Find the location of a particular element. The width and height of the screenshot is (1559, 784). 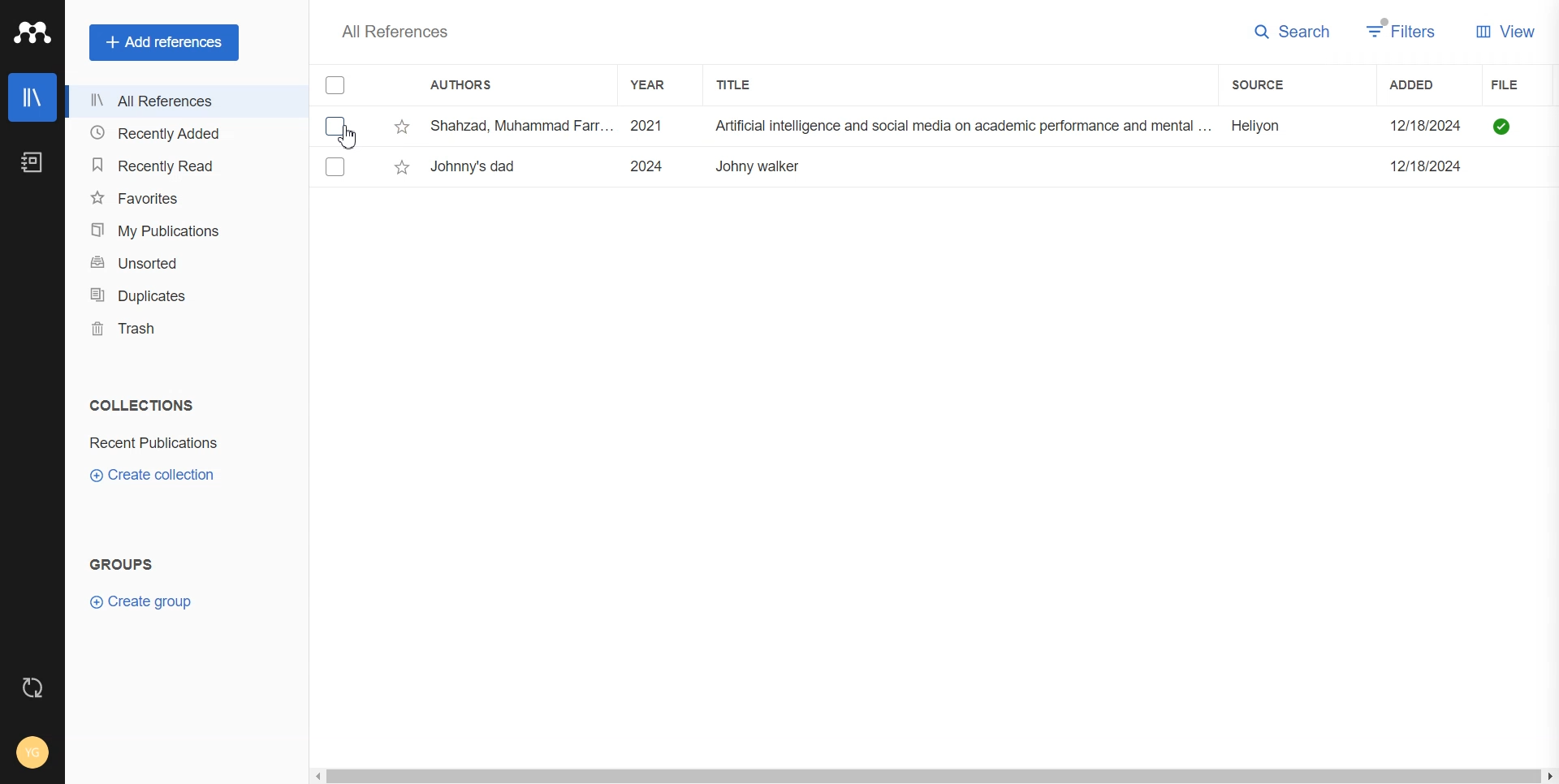

text 1 is located at coordinates (138, 405).